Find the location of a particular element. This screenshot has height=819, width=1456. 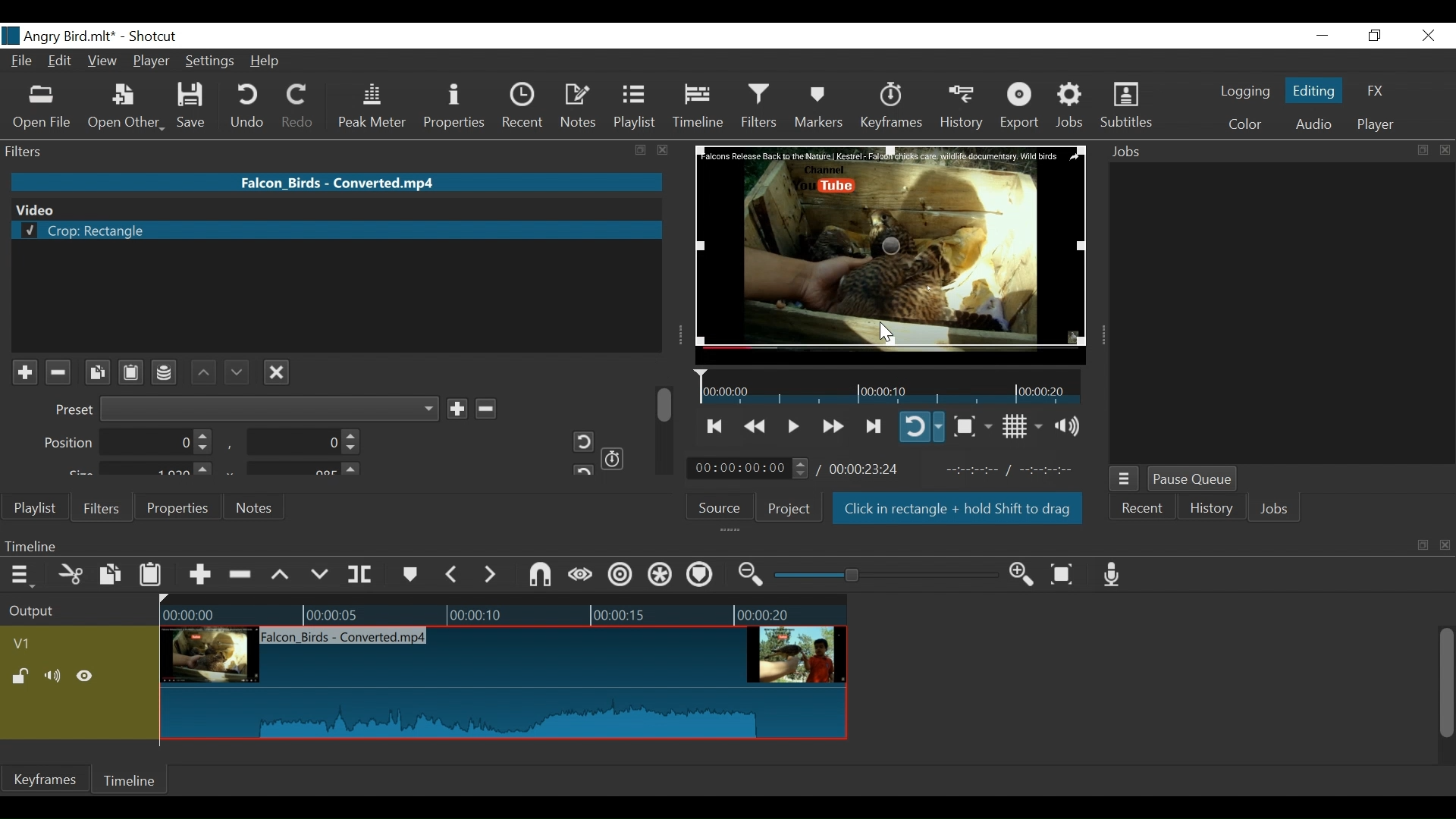

Snap  is located at coordinates (540, 576).